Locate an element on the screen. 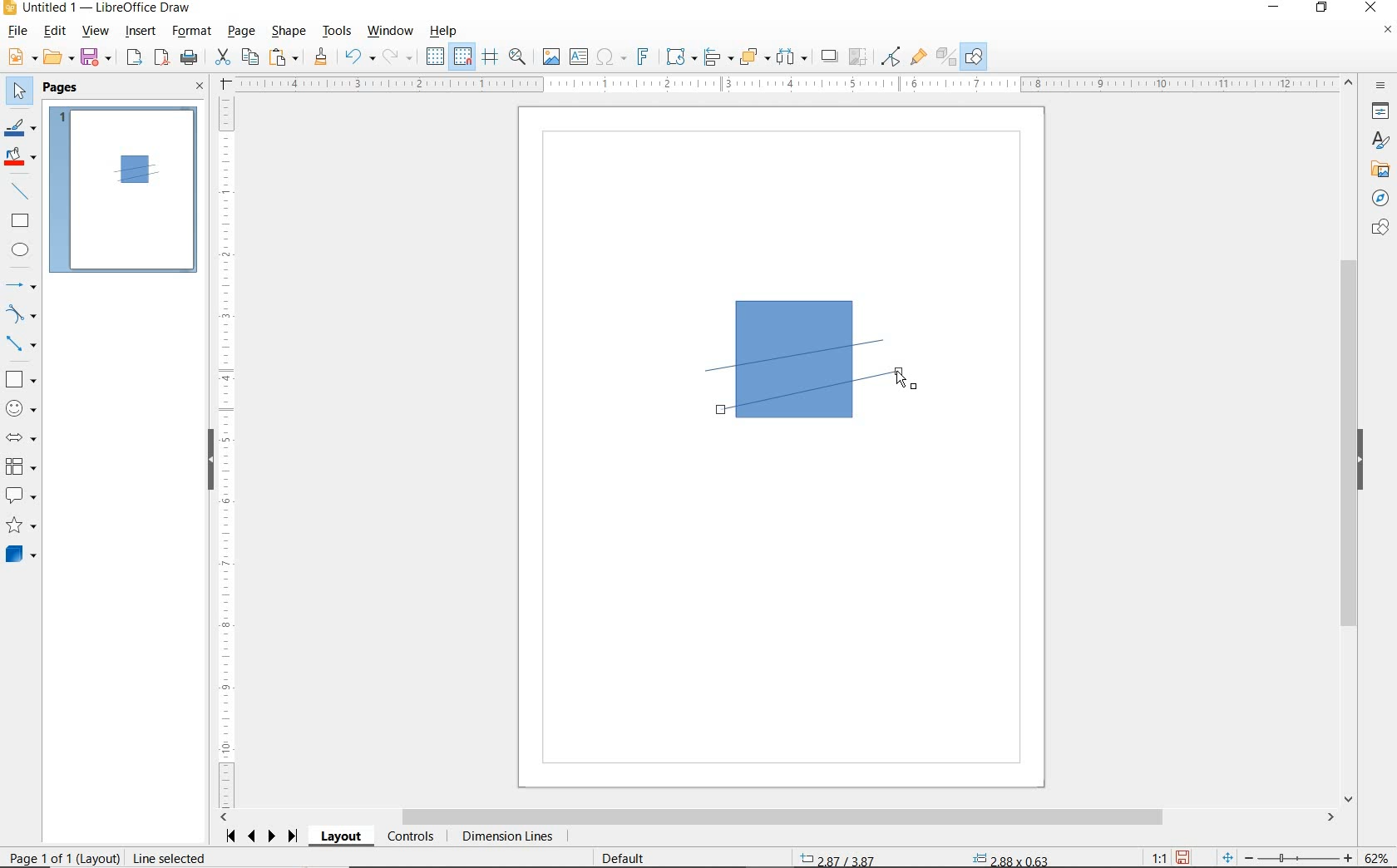  SCROLLBAR is located at coordinates (1351, 440).